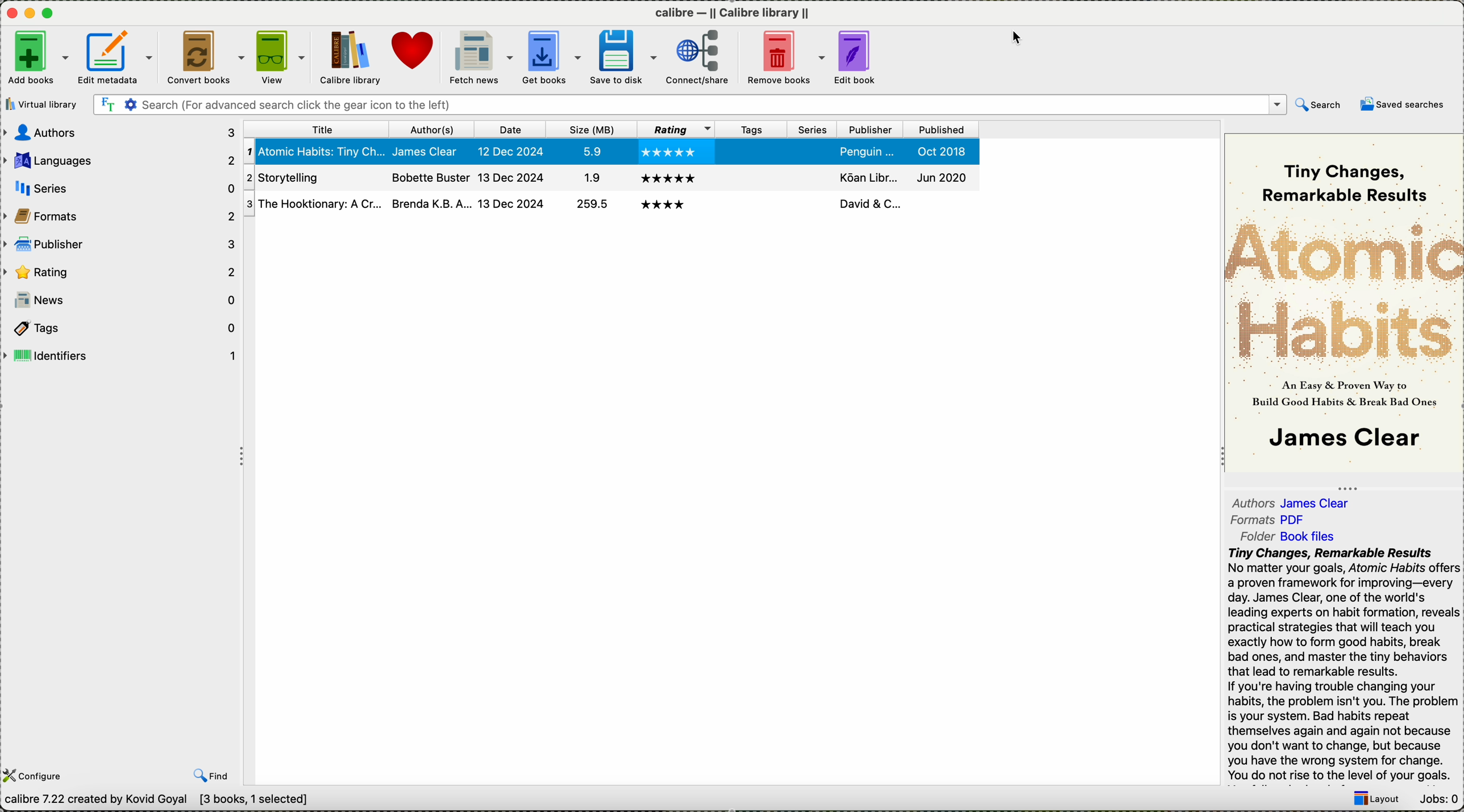 The image size is (1464, 812). What do you see at coordinates (674, 128) in the screenshot?
I see `click on rating` at bounding box center [674, 128].